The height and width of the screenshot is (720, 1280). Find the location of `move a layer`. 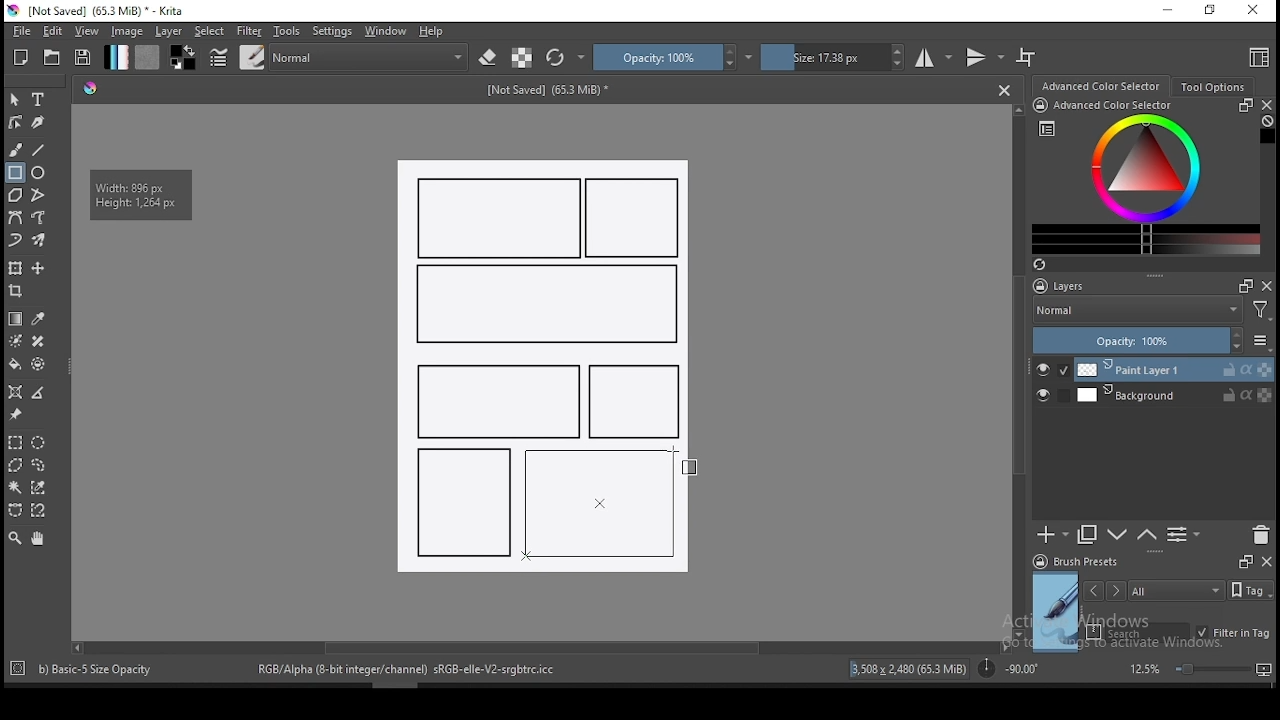

move a layer is located at coordinates (38, 269).